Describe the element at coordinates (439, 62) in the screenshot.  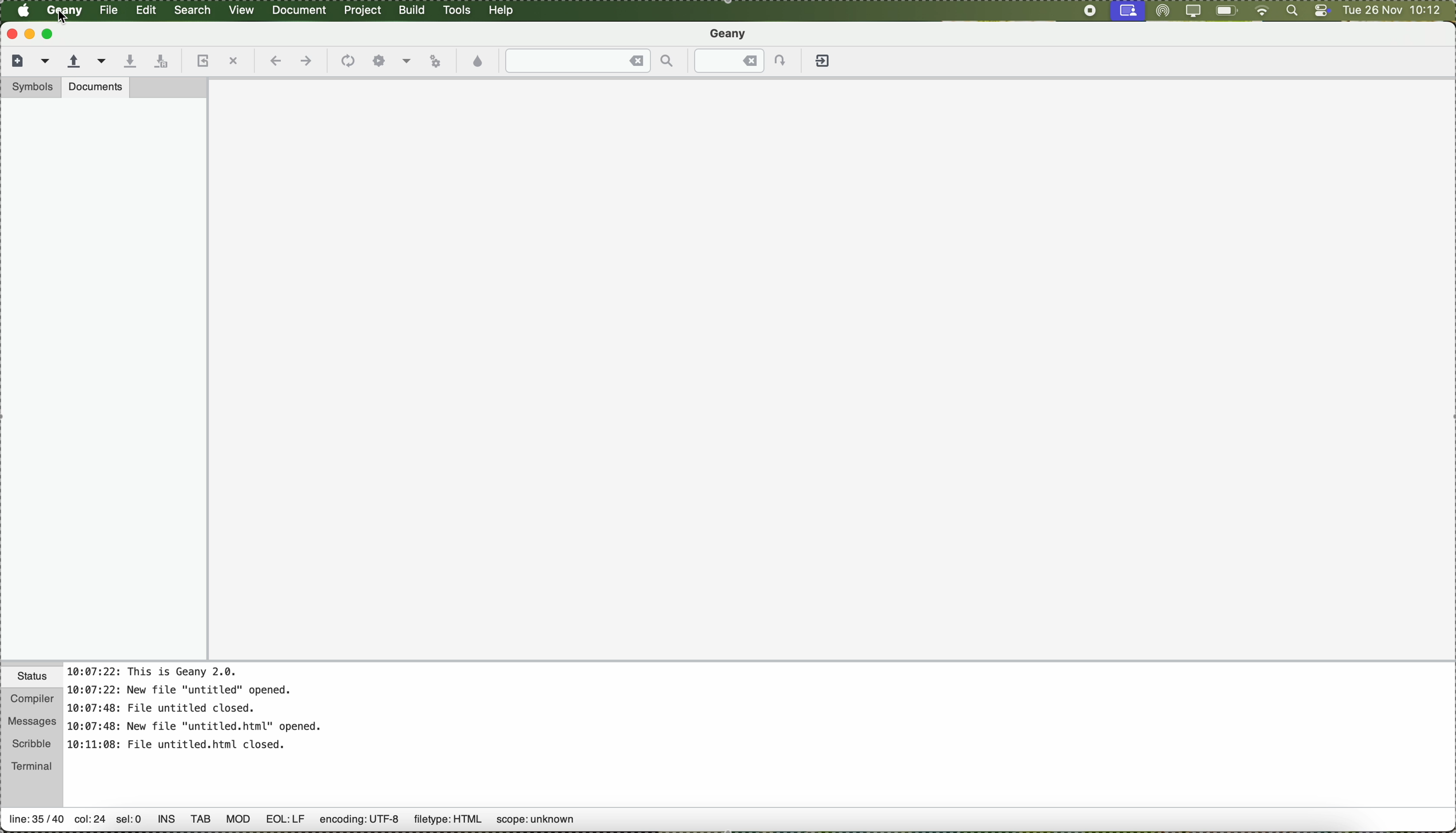
I see `run or view the current file` at that location.